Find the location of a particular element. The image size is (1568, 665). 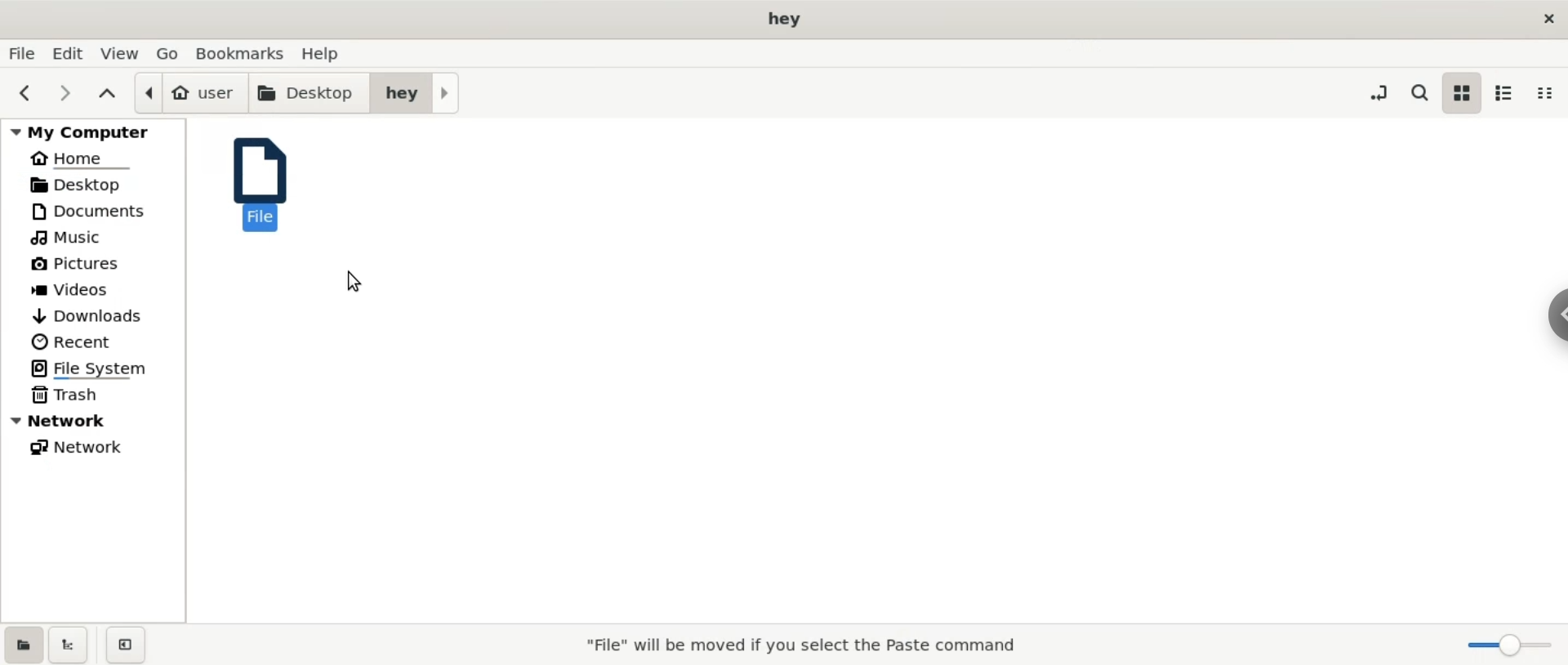

network is located at coordinates (103, 447).